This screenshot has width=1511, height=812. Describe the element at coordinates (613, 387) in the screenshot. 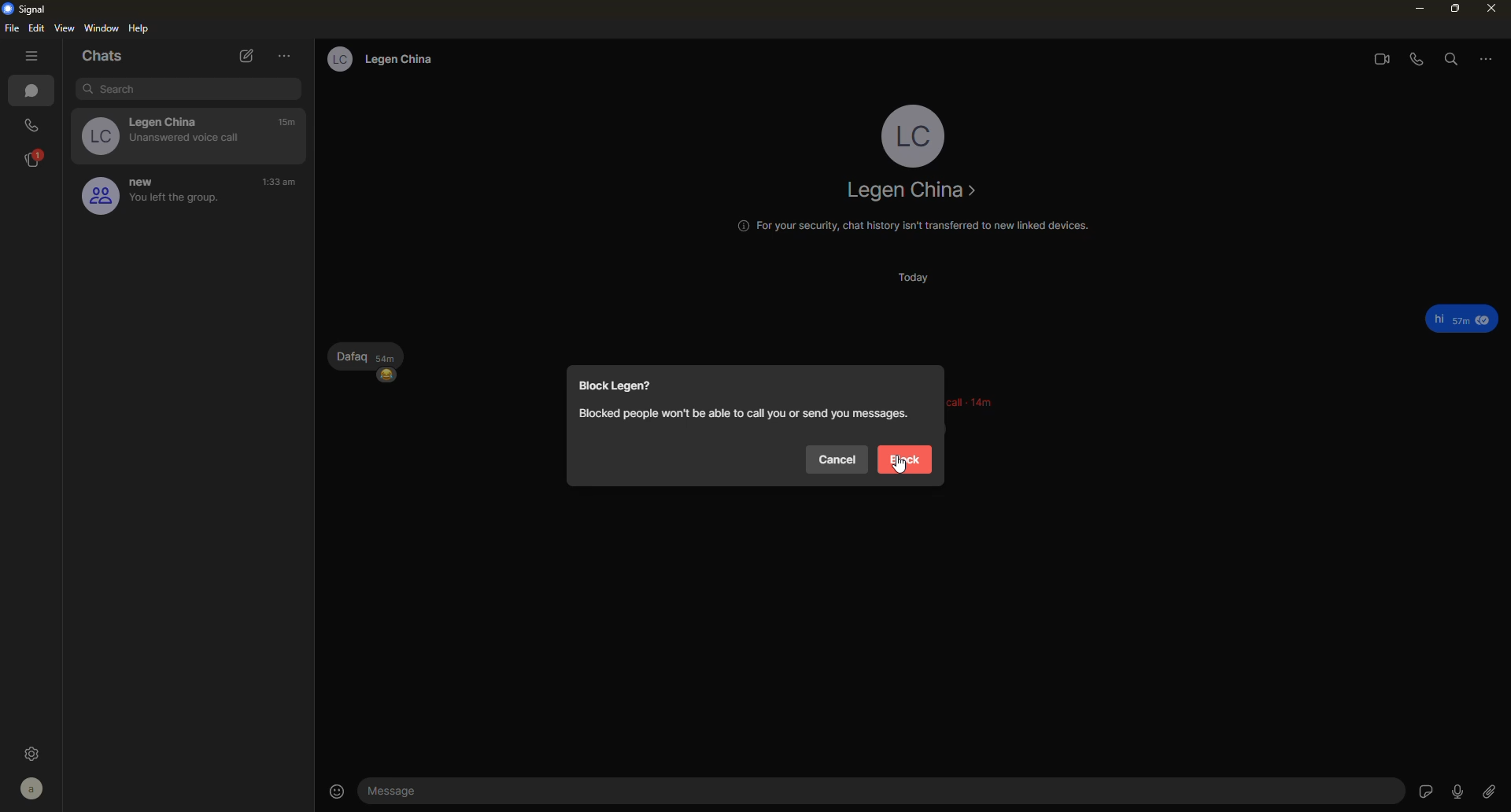

I see `bock contact` at that location.